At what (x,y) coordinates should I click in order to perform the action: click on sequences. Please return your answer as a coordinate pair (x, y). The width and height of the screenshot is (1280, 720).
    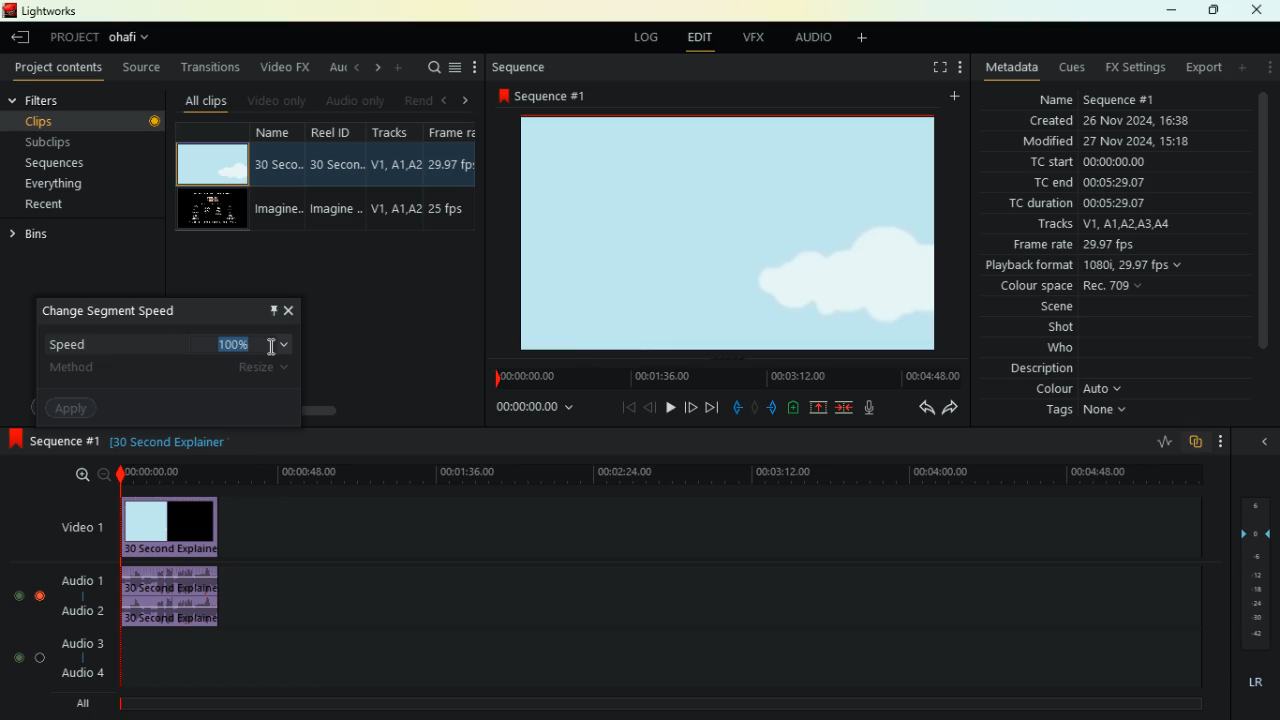
    Looking at the image, I should click on (63, 164).